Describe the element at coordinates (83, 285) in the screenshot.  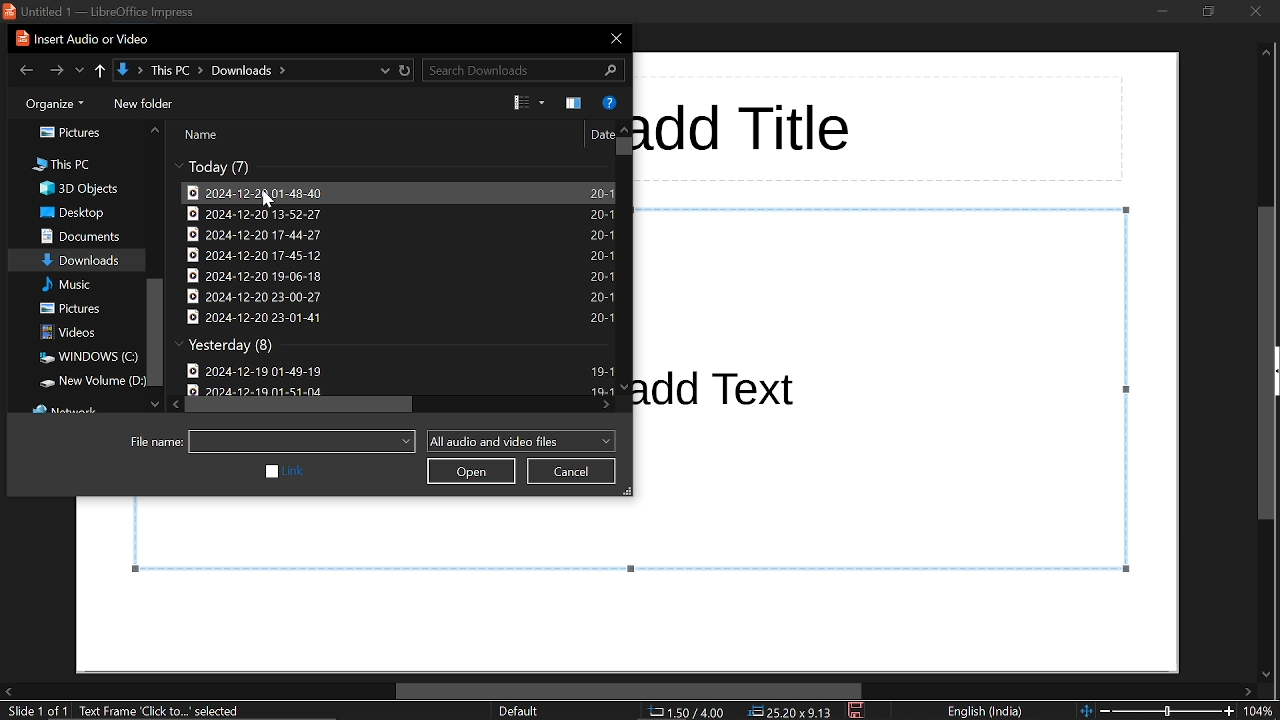
I see `music` at that location.